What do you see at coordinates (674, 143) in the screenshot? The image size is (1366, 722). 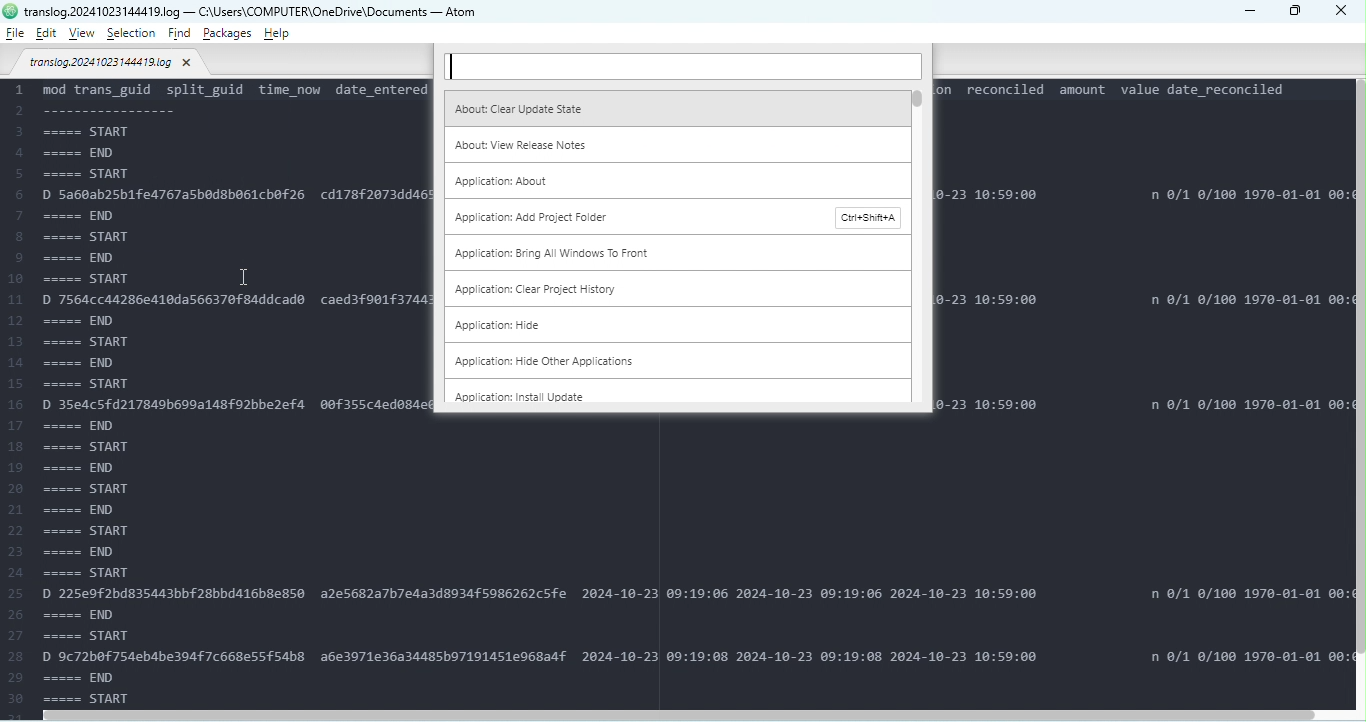 I see `About: View release notes` at bounding box center [674, 143].